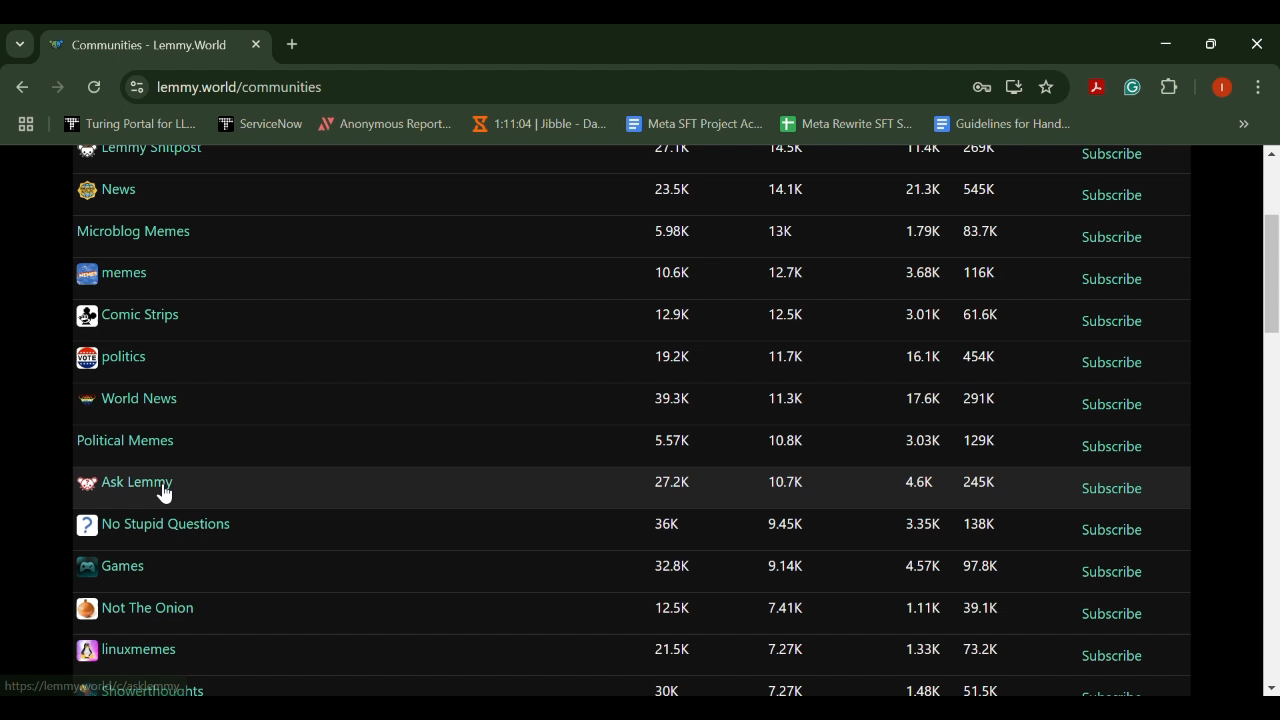  I want to click on linuxmemes, so click(129, 651).